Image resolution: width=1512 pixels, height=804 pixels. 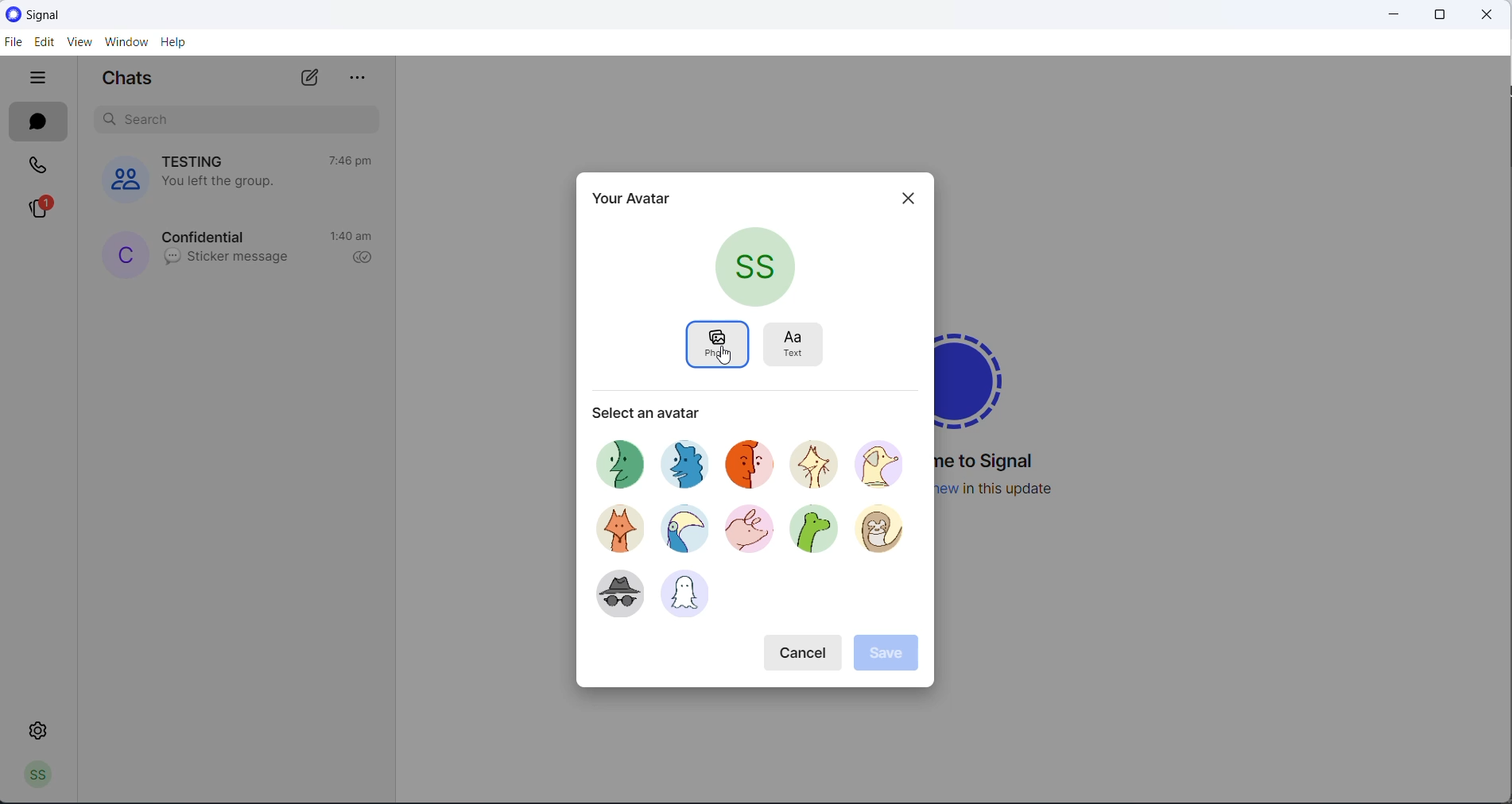 What do you see at coordinates (805, 650) in the screenshot?
I see `cancel` at bounding box center [805, 650].